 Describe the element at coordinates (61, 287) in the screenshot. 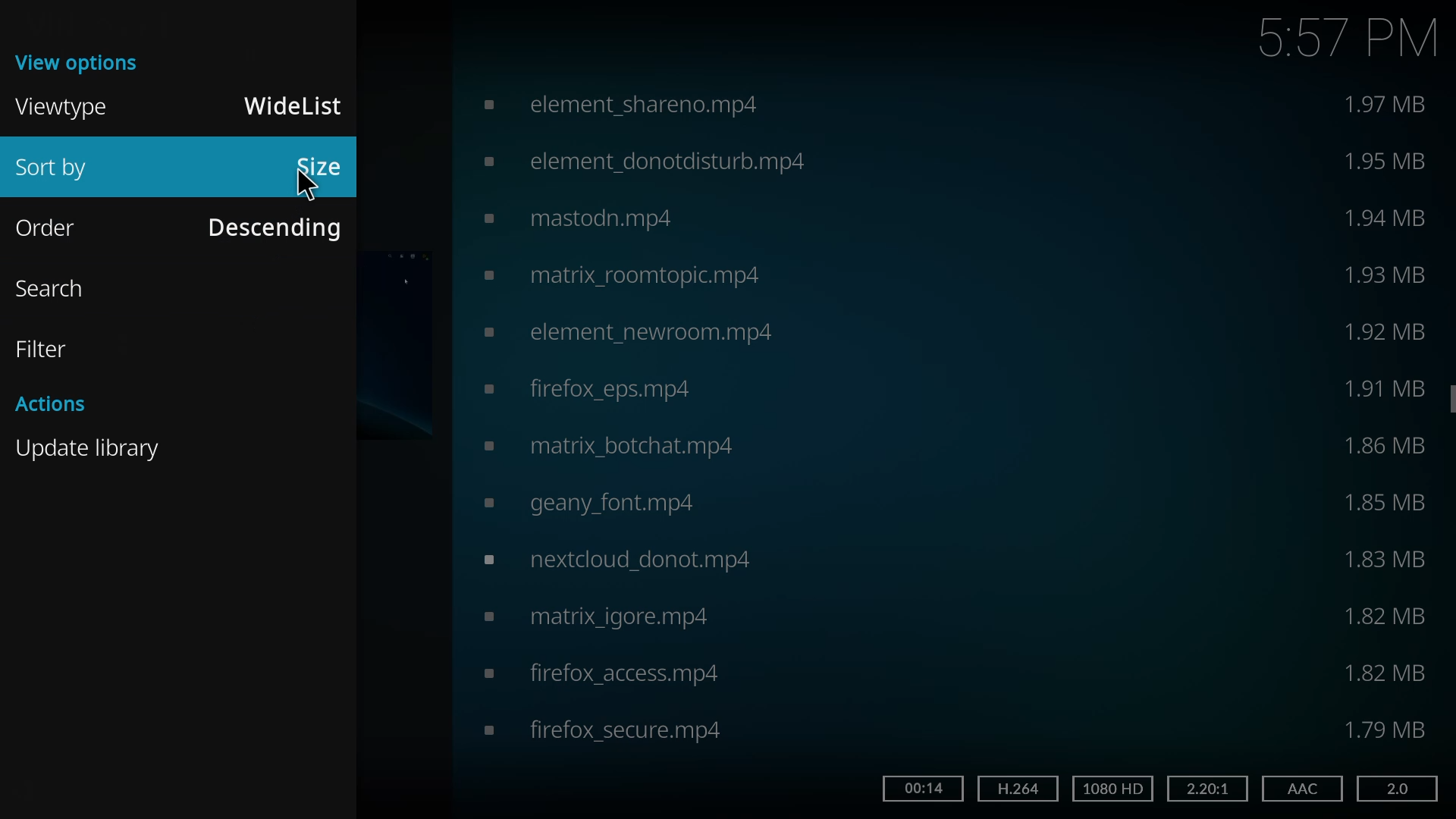

I see `search` at that location.